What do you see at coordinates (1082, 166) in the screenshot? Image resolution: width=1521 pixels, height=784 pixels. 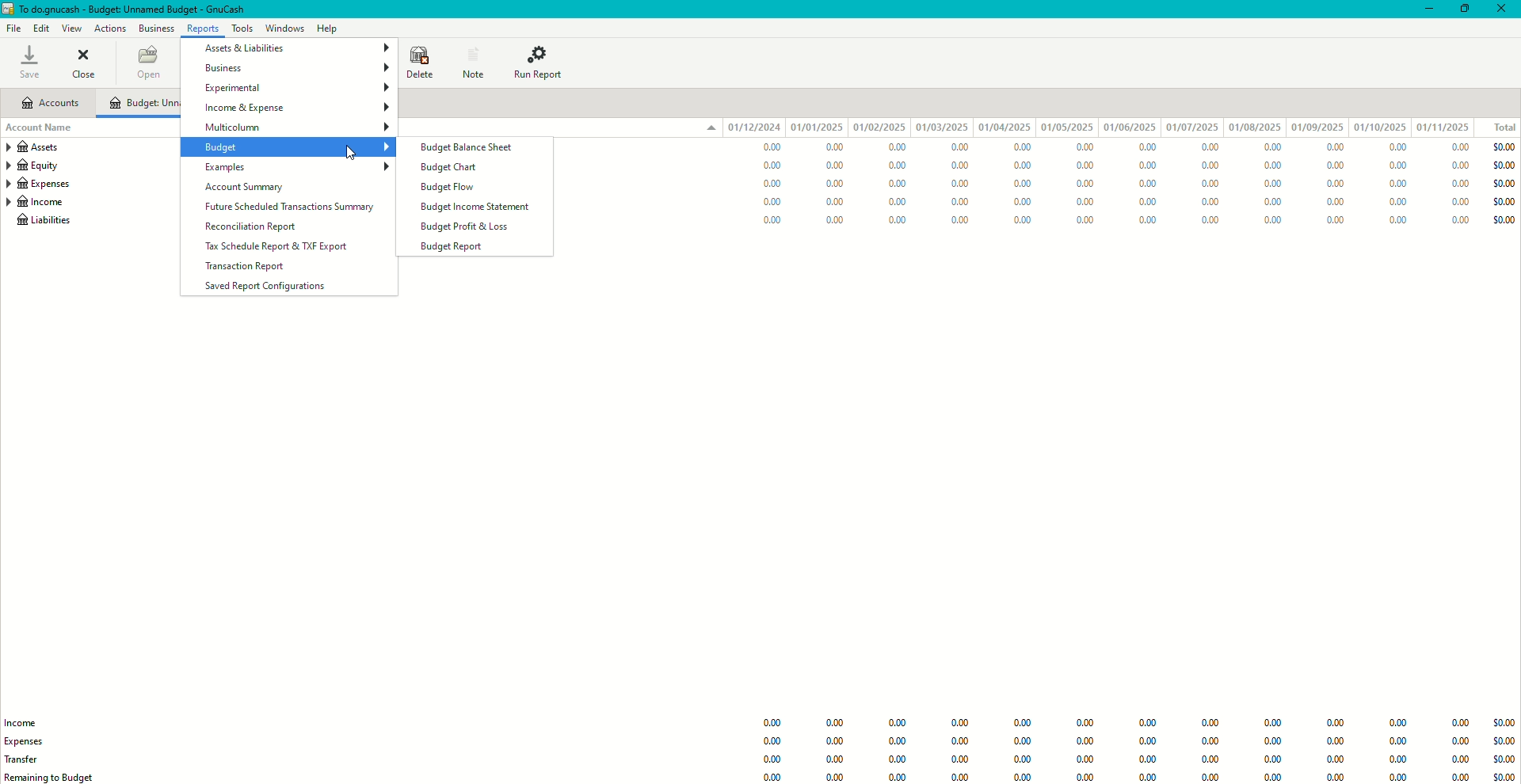 I see `0.00` at bounding box center [1082, 166].